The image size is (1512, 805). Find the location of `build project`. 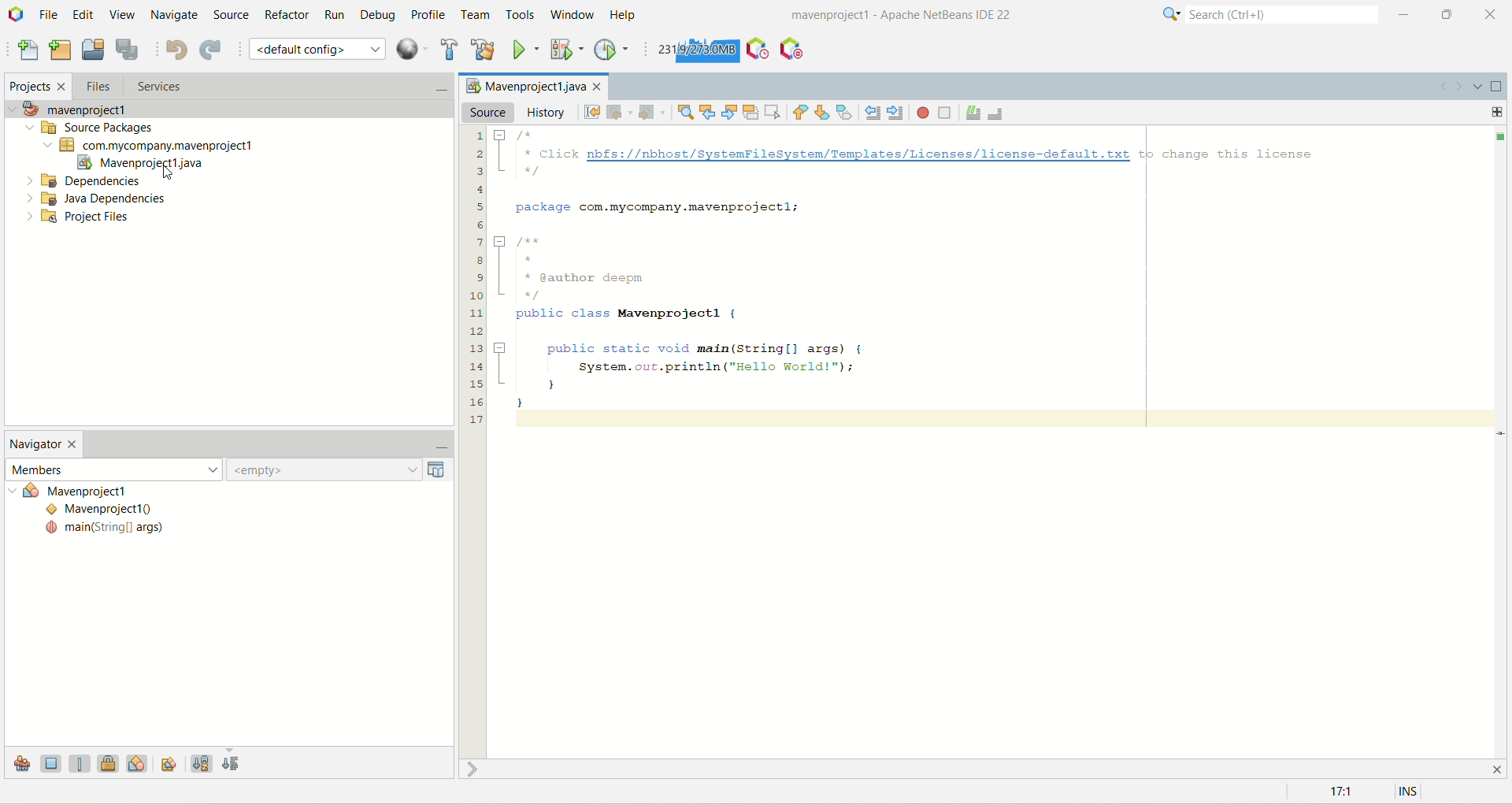

build project is located at coordinates (447, 49).